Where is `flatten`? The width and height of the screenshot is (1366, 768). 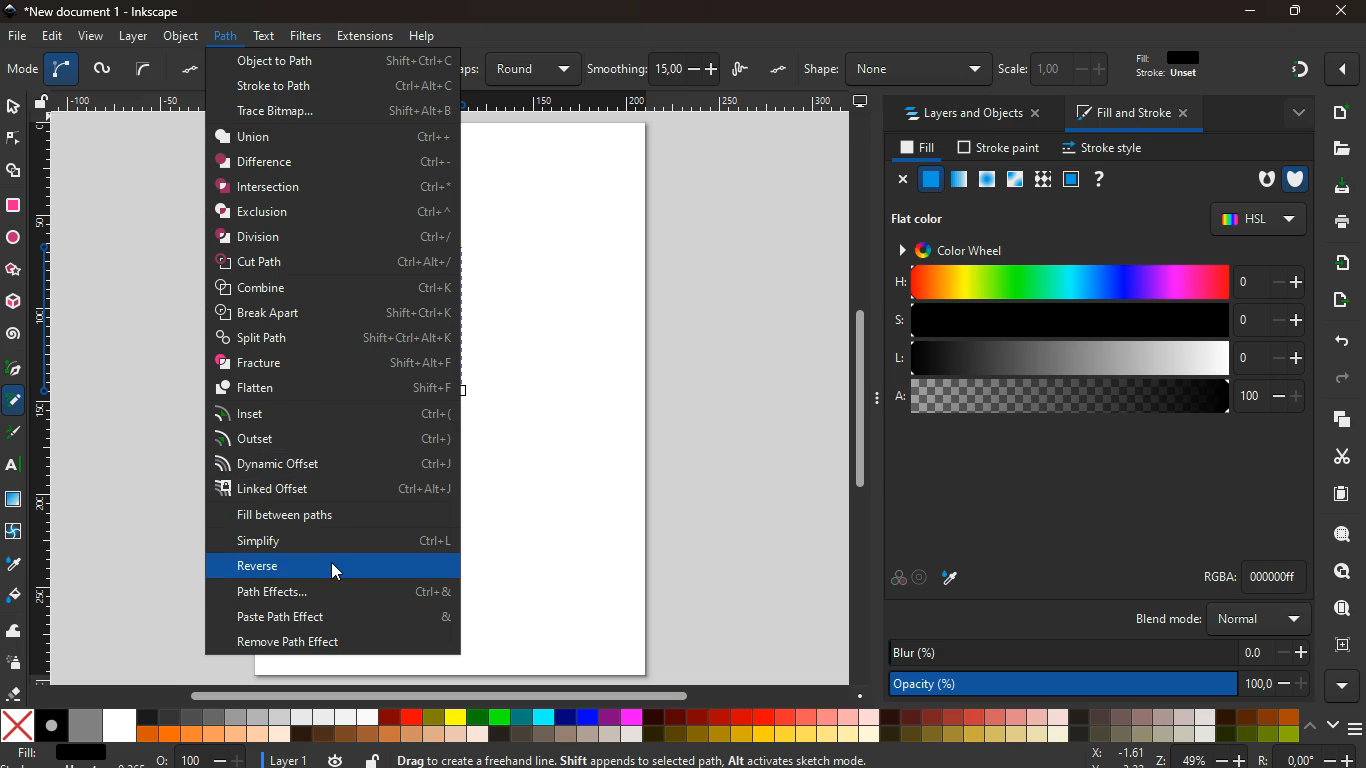 flatten is located at coordinates (335, 389).